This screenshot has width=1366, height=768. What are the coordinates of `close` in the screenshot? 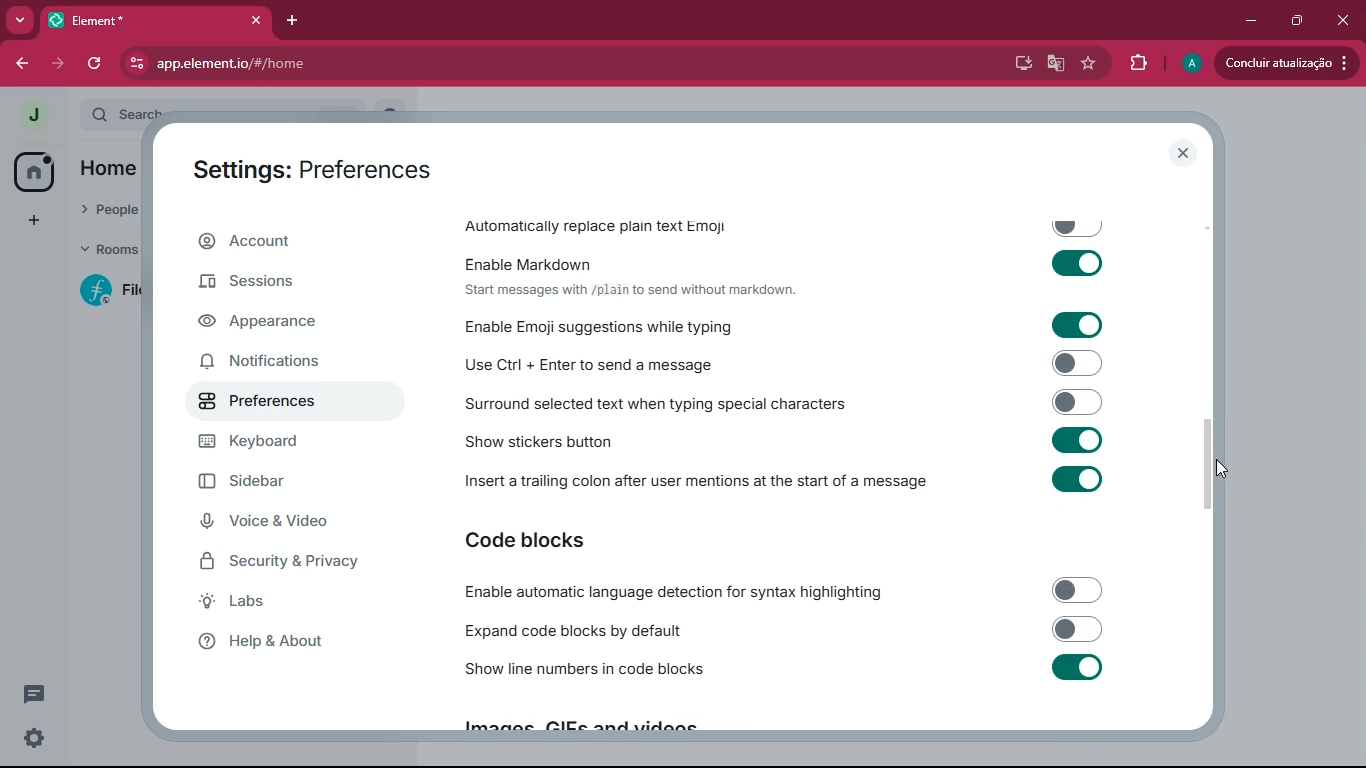 It's located at (1185, 153).